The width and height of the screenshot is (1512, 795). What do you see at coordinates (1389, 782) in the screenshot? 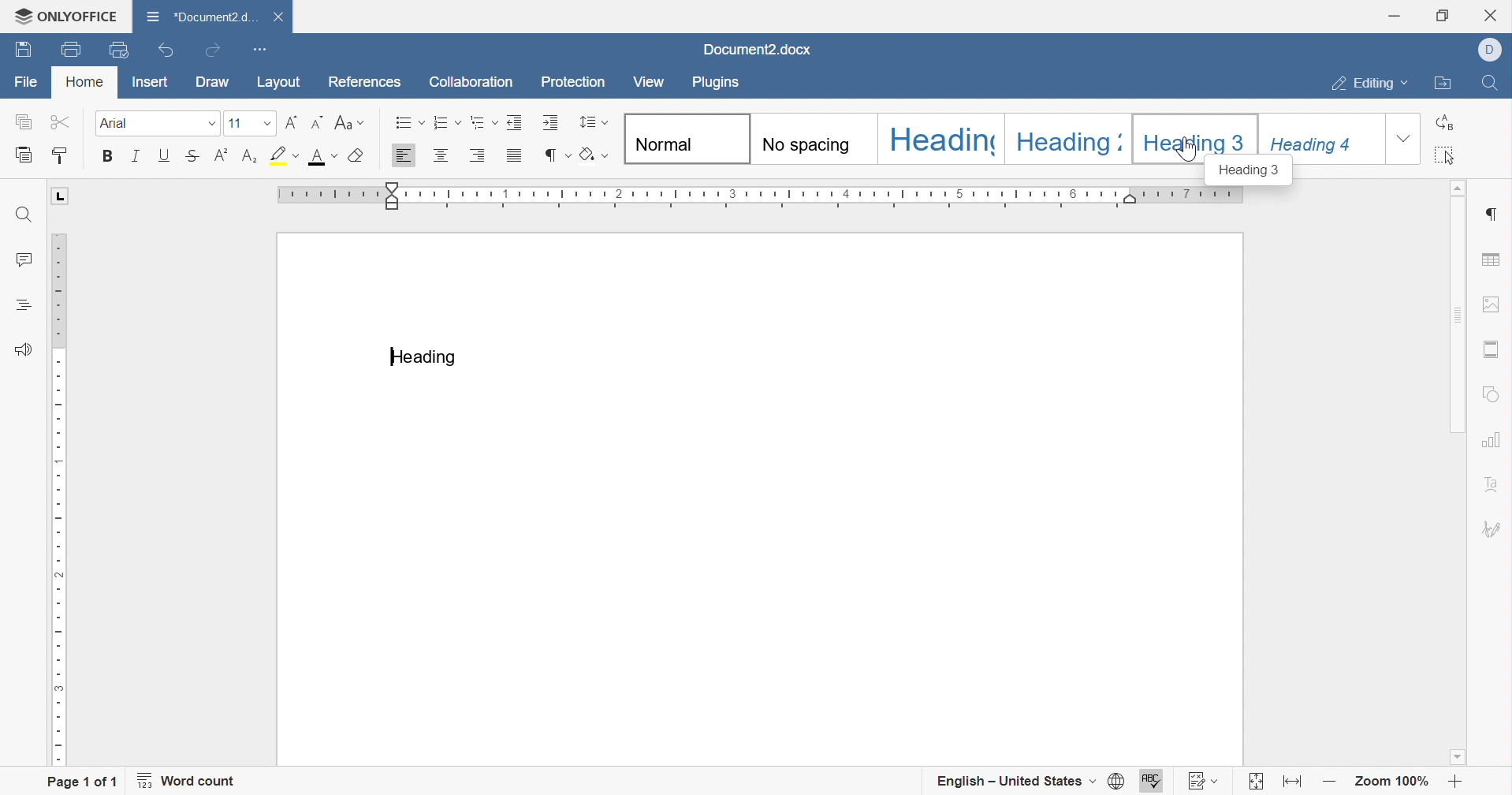
I see `Zoom 100%` at bounding box center [1389, 782].